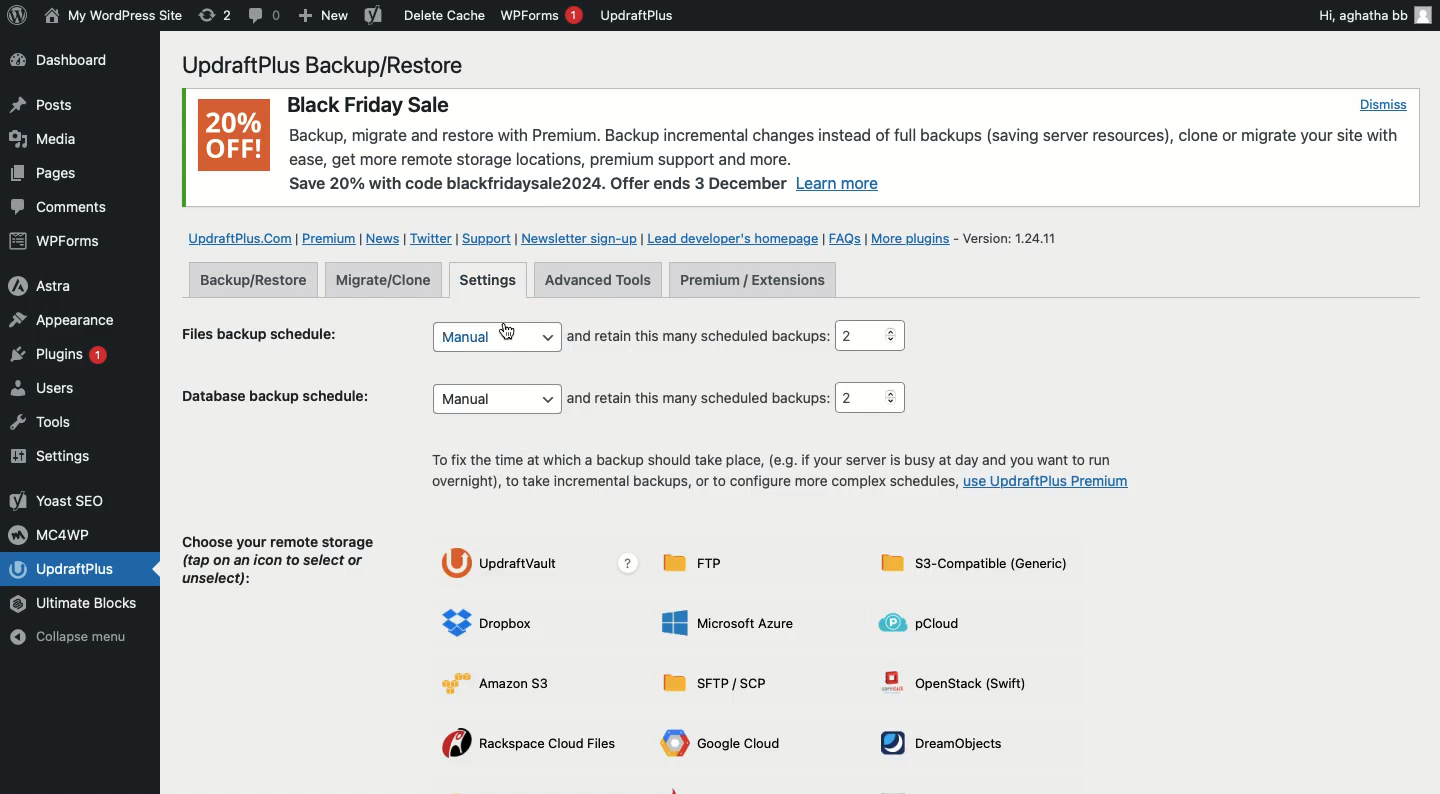 The image size is (1440, 794). Describe the element at coordinates (445, 15) in the screenshot. I see `Delete cache` at that location.